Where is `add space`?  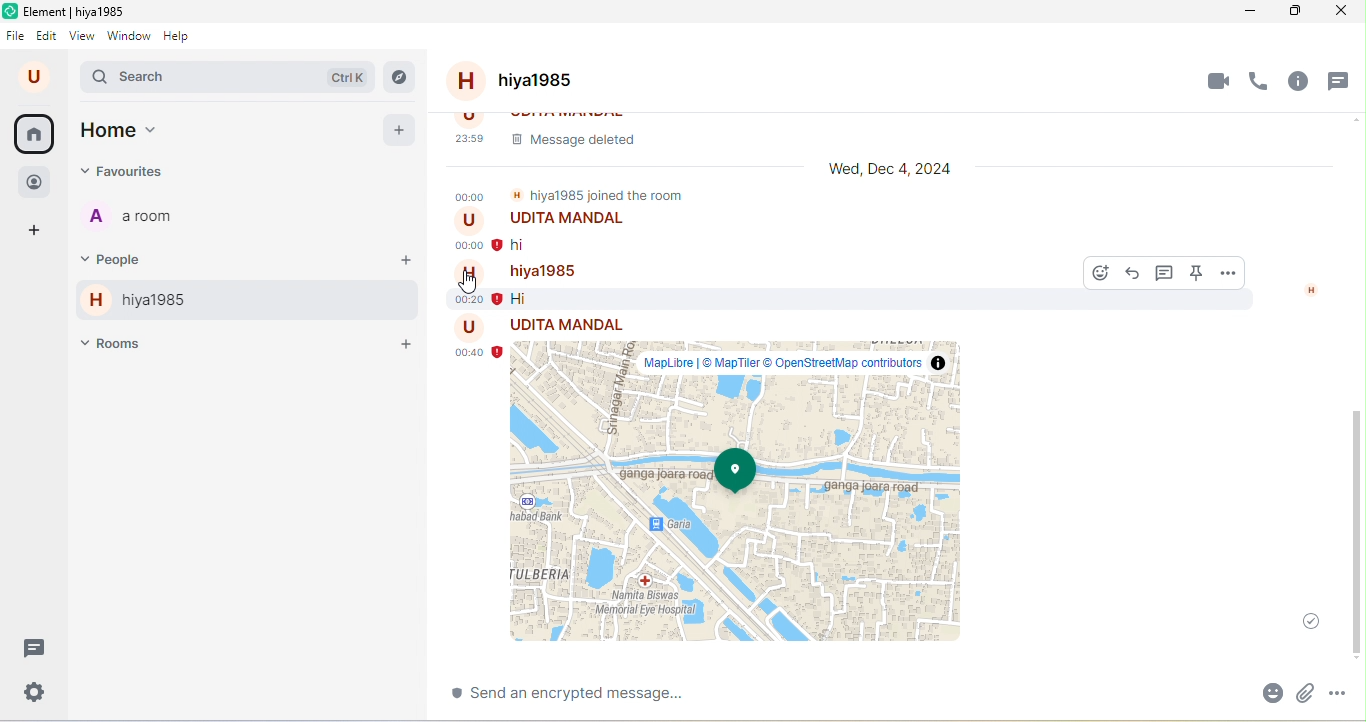
add space is located at coordinates (36, 229).